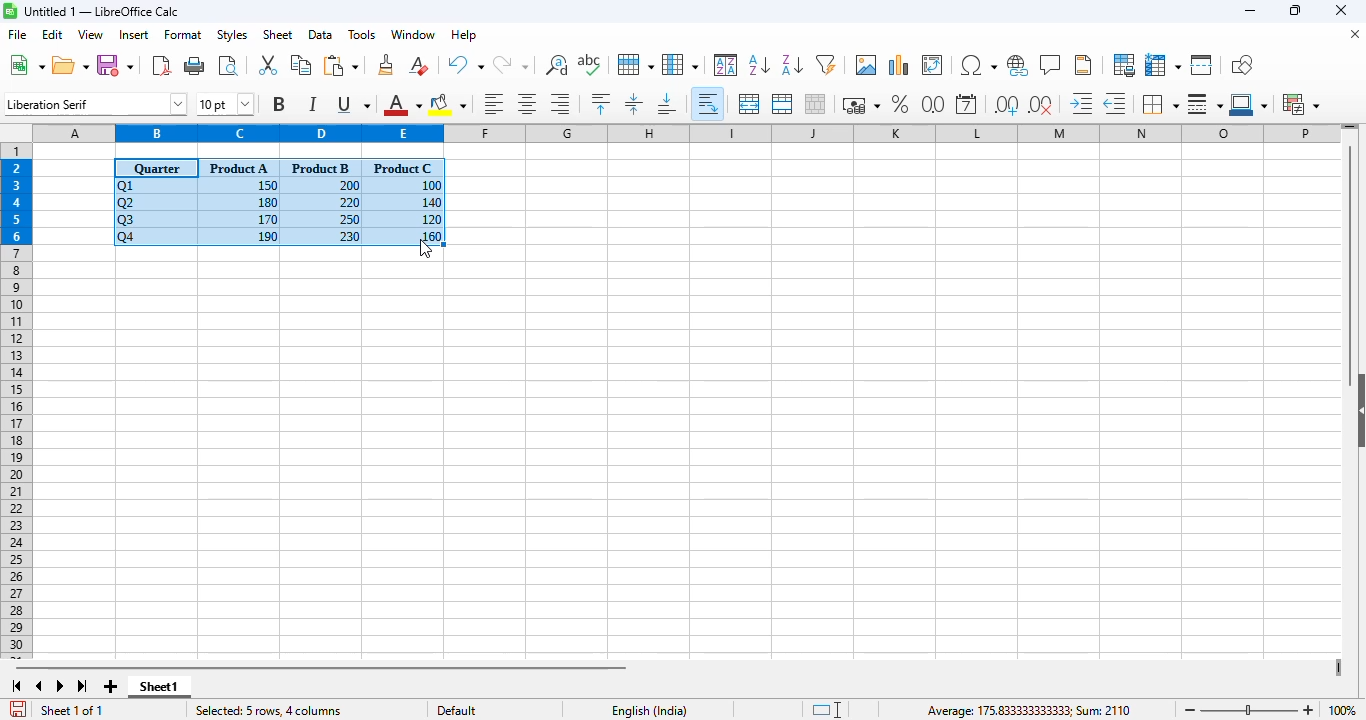 The height and width of the screenshot is (720, 1366). What do you see at coordinates (18, 709) in the screenshot?
I see `click to save the document` at bounding box center [18, 709].